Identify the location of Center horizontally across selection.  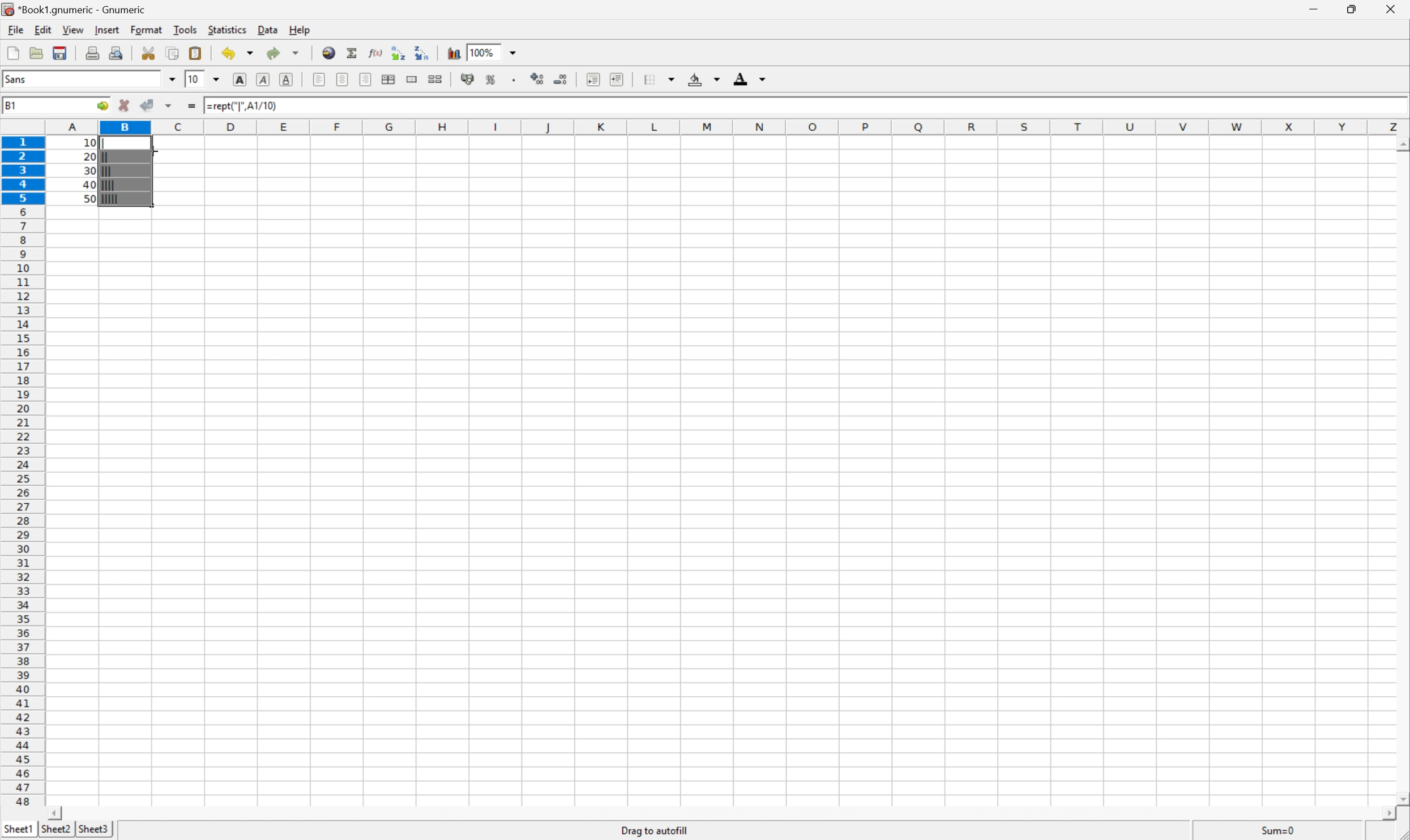
(389, 80).